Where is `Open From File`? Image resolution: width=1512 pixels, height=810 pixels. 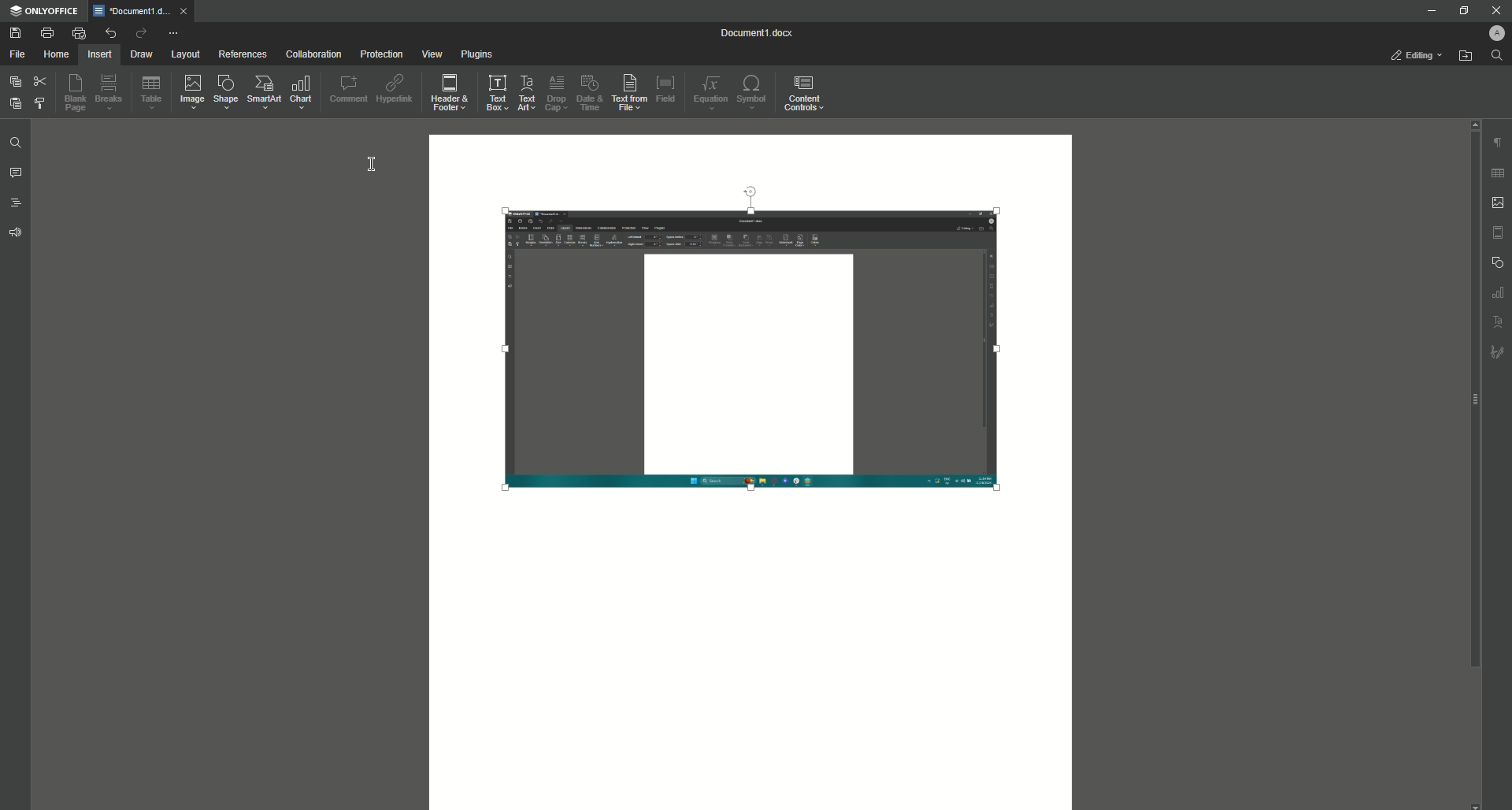
Open From File is located at coordinates (1465, 54).